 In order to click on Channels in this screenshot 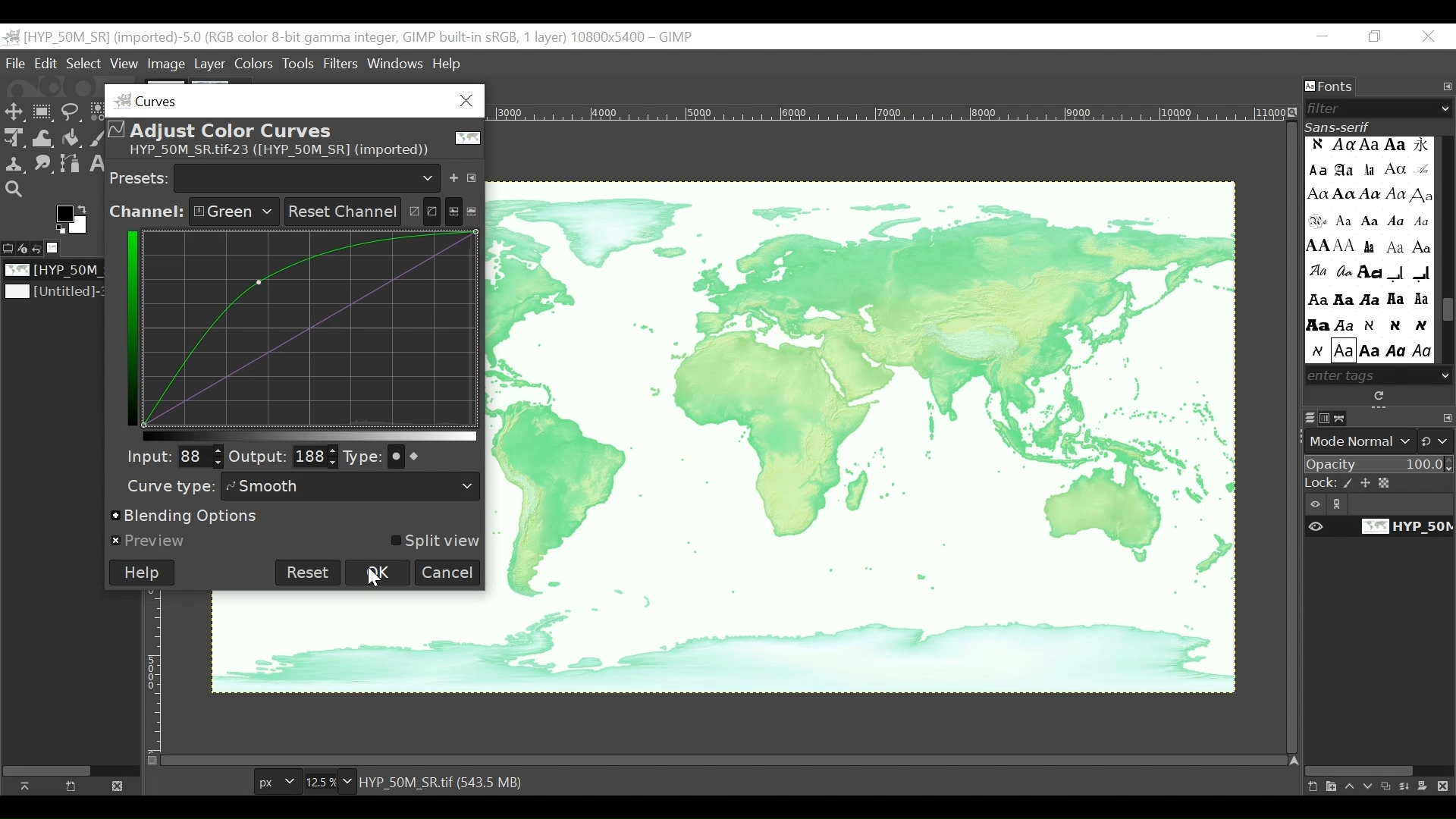, I will do `click(1328, 418)`.